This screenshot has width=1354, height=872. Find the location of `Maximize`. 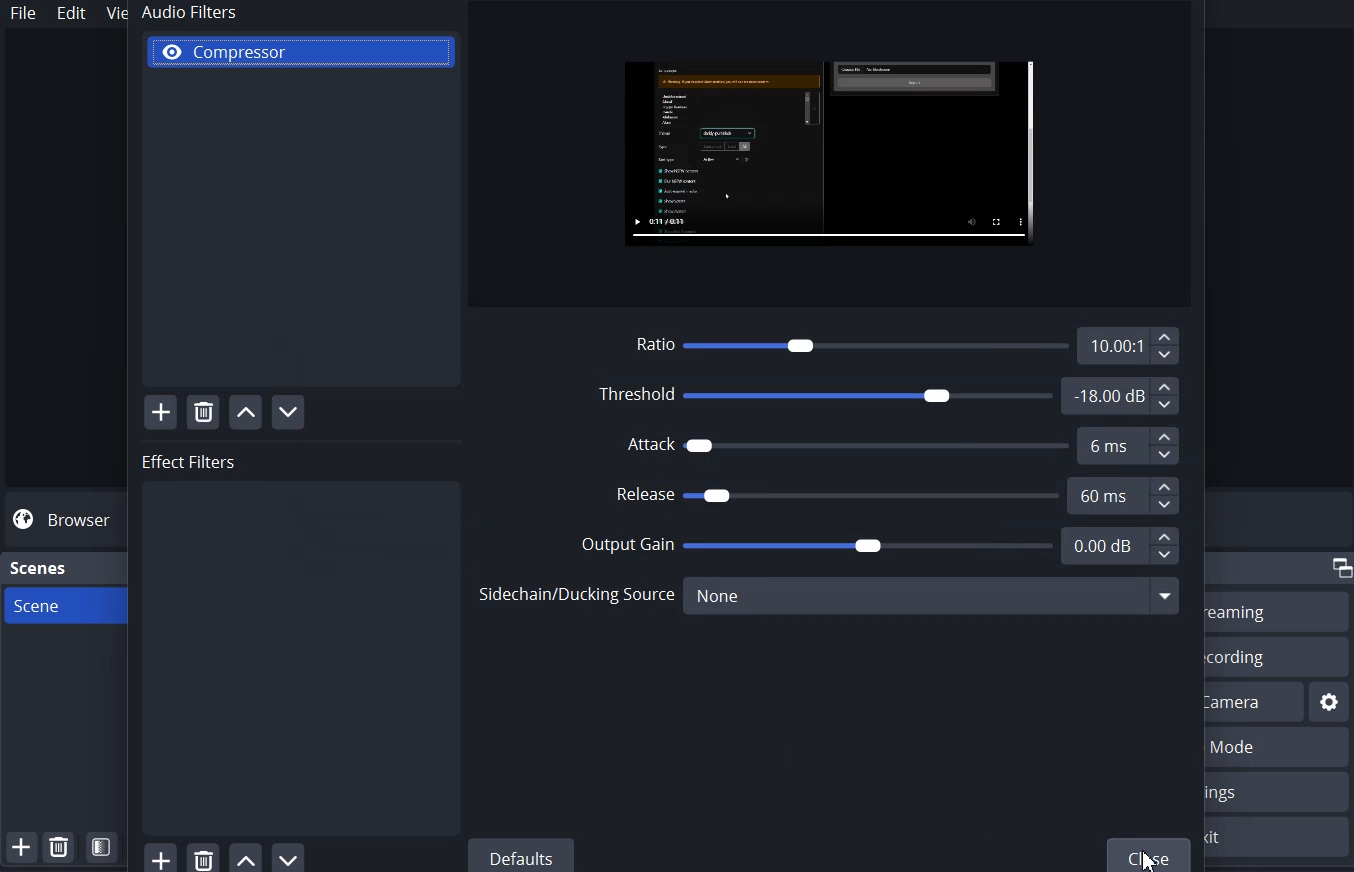

Maximize is located at coordinates (1340, 568).